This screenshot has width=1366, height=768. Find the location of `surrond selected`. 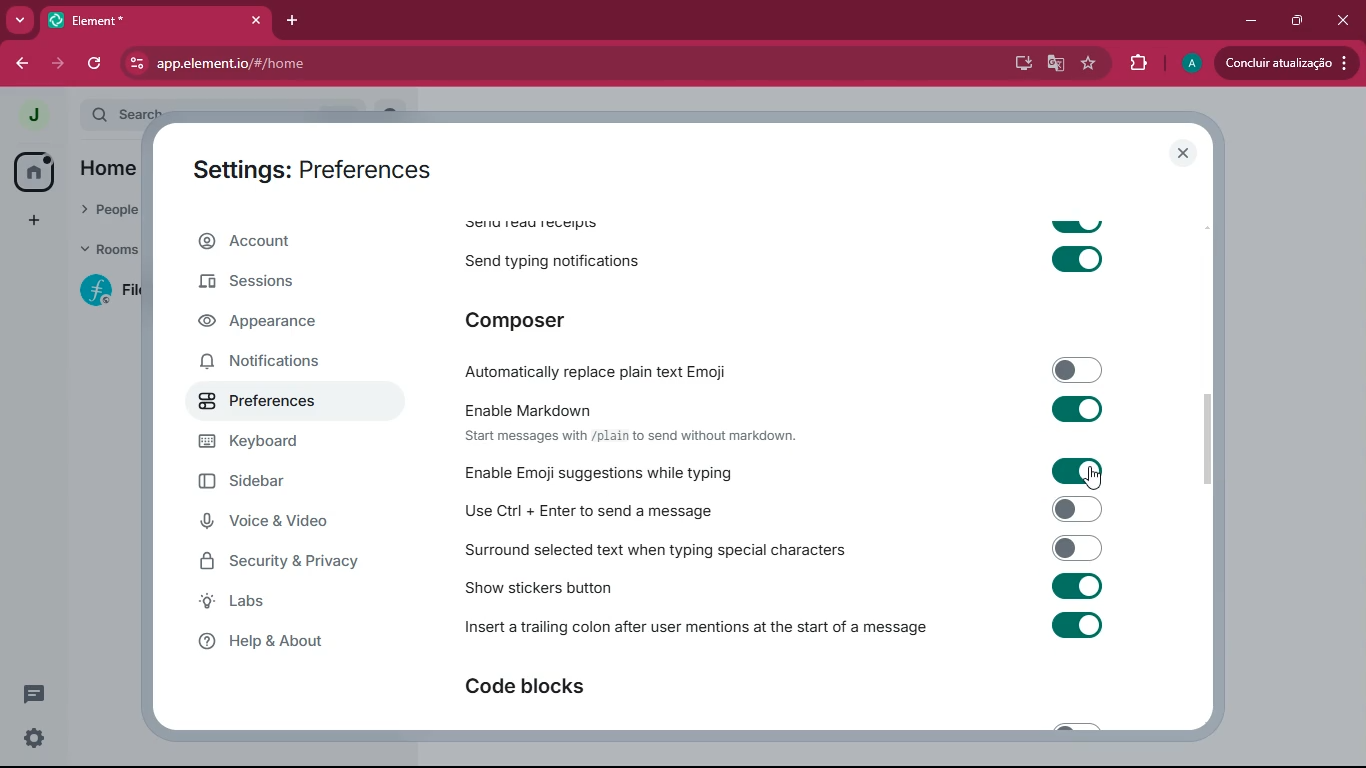

surrond selected is located at coordinates (793, 549).